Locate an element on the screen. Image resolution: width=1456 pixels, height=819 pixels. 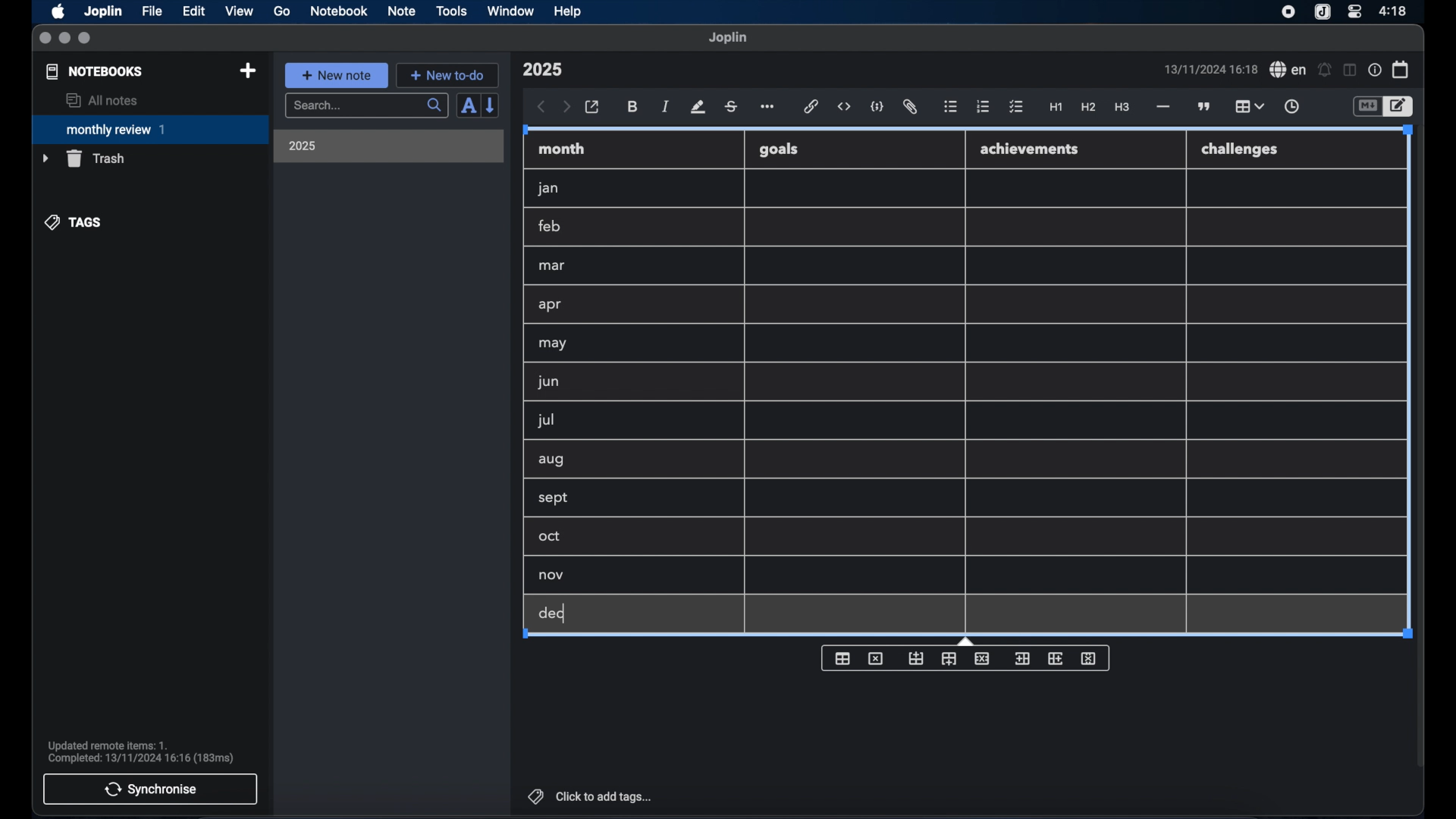
code is located at coordinates (877, 108).